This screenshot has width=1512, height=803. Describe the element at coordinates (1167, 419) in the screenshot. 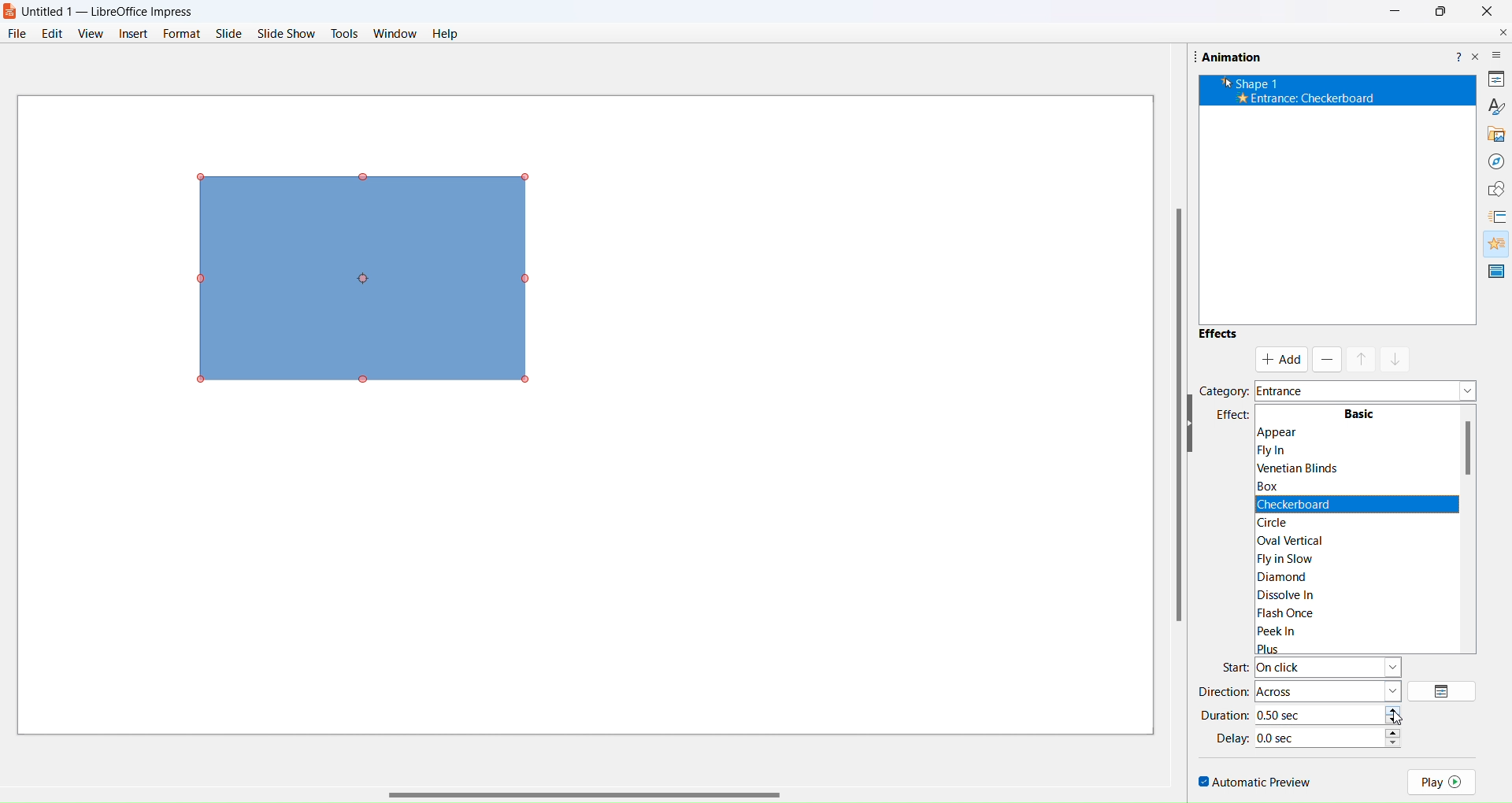

I see `scroll bar` at that location.